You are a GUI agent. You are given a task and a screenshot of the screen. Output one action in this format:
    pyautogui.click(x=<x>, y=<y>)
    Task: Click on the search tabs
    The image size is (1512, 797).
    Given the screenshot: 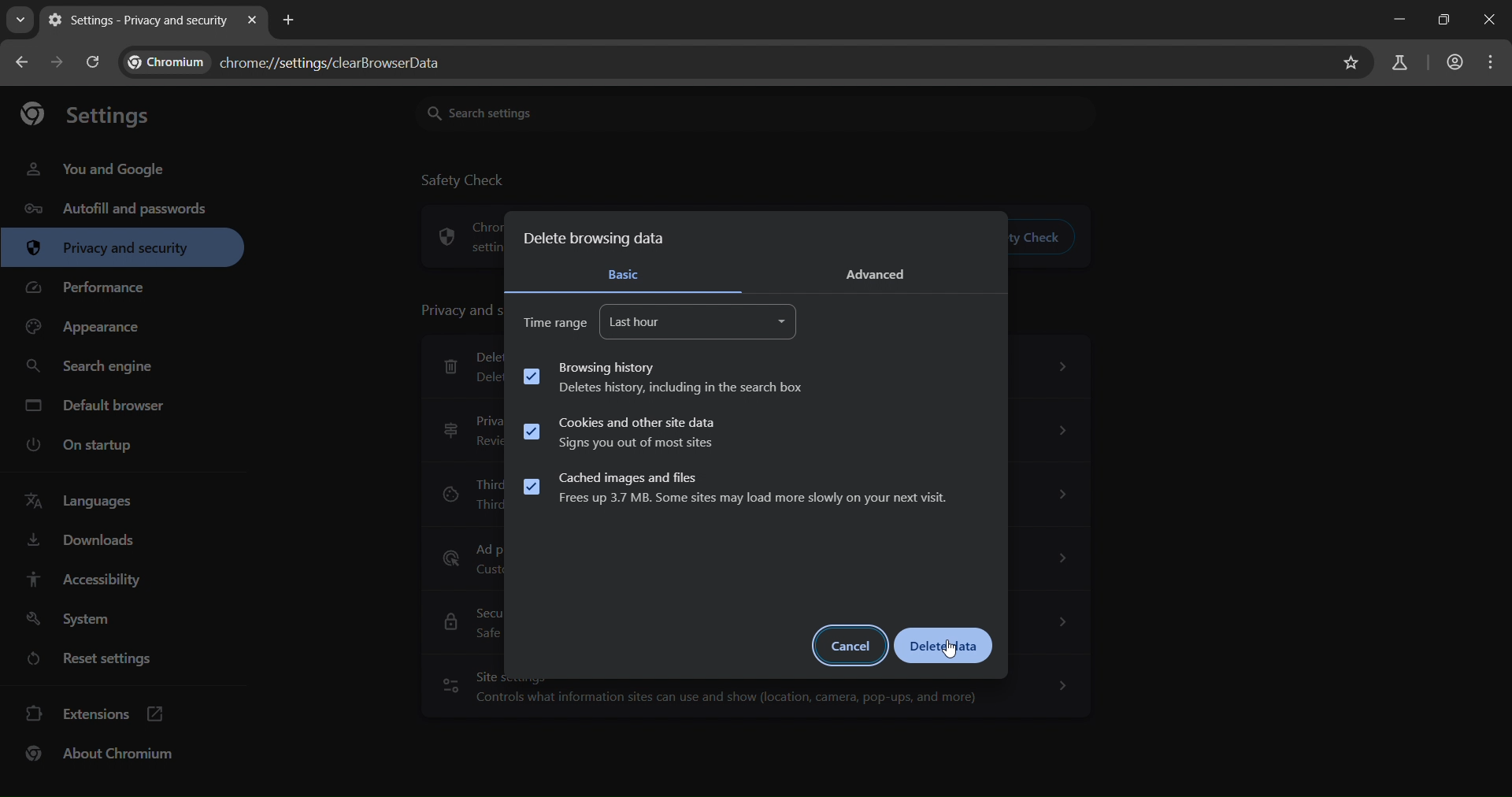 What is the action you would take?
    pyautogui.click(x=22, y=20)
    